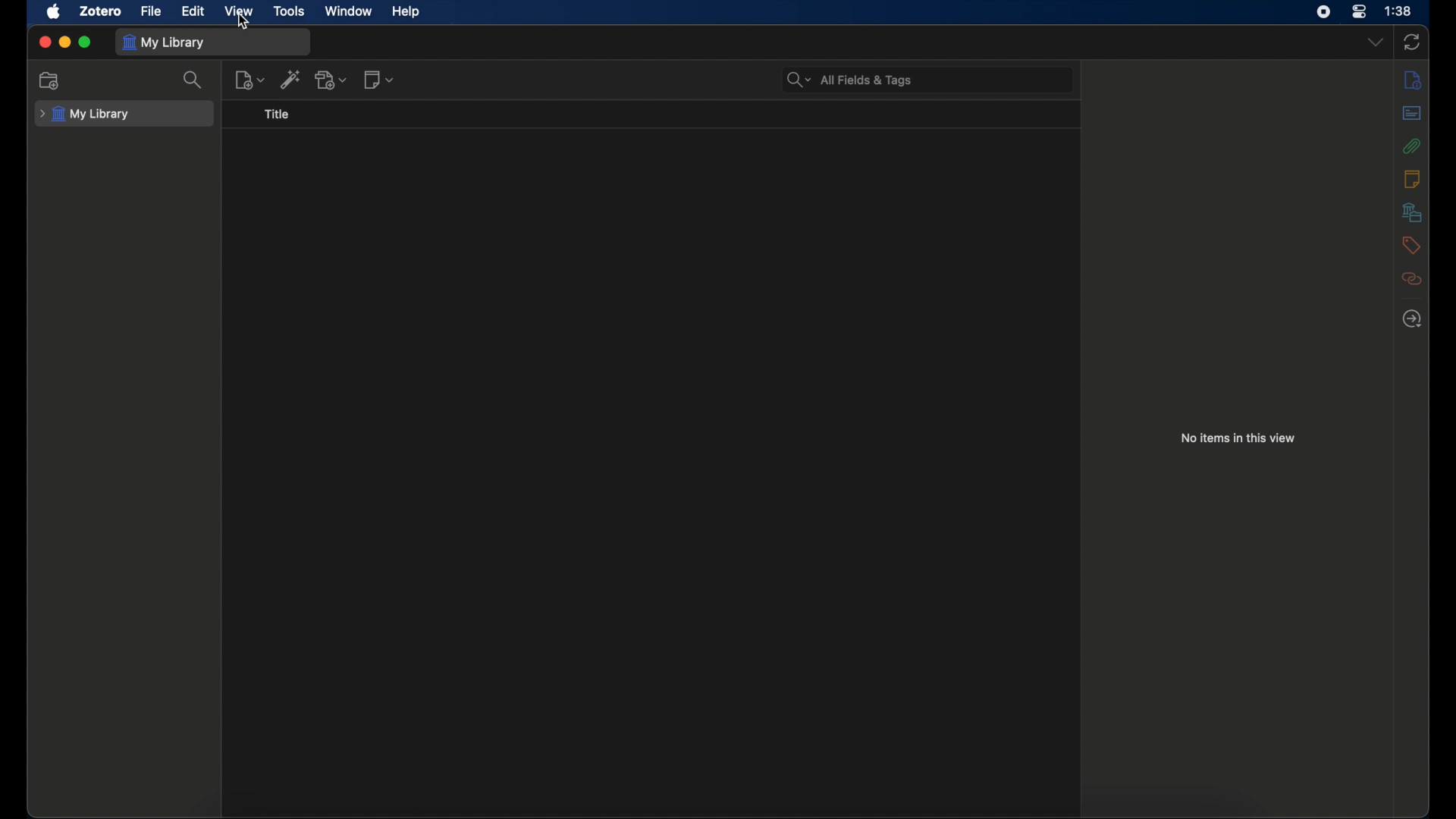 The height and width of the screenshot is (819, 1456). What do you see at coordinates (349, 11) in the screenshot?
I see `window` at bounding box center [349, 11].